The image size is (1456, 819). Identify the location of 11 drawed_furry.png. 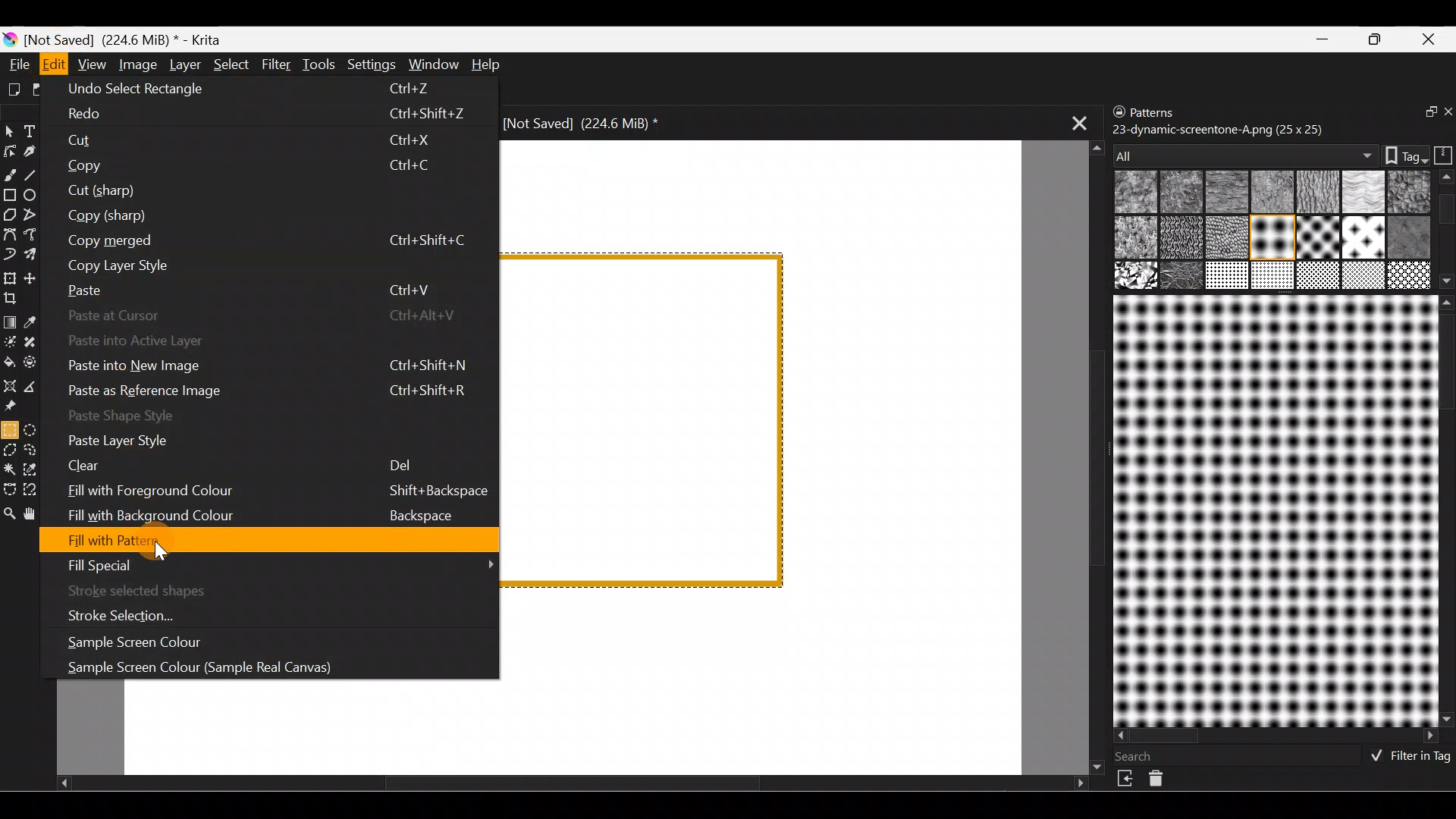
(1316, 240).